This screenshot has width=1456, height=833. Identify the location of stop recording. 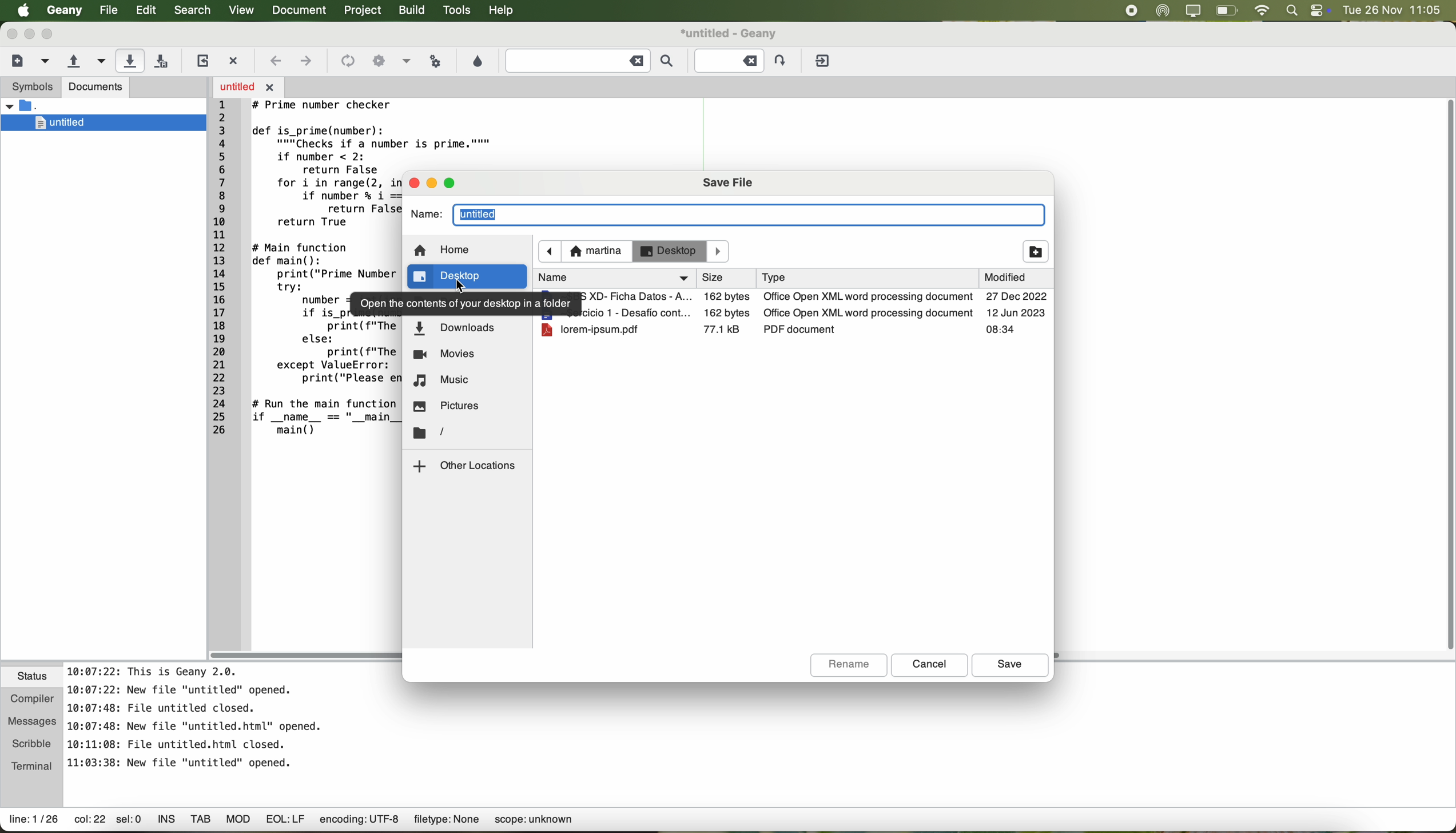
(1131, 10).